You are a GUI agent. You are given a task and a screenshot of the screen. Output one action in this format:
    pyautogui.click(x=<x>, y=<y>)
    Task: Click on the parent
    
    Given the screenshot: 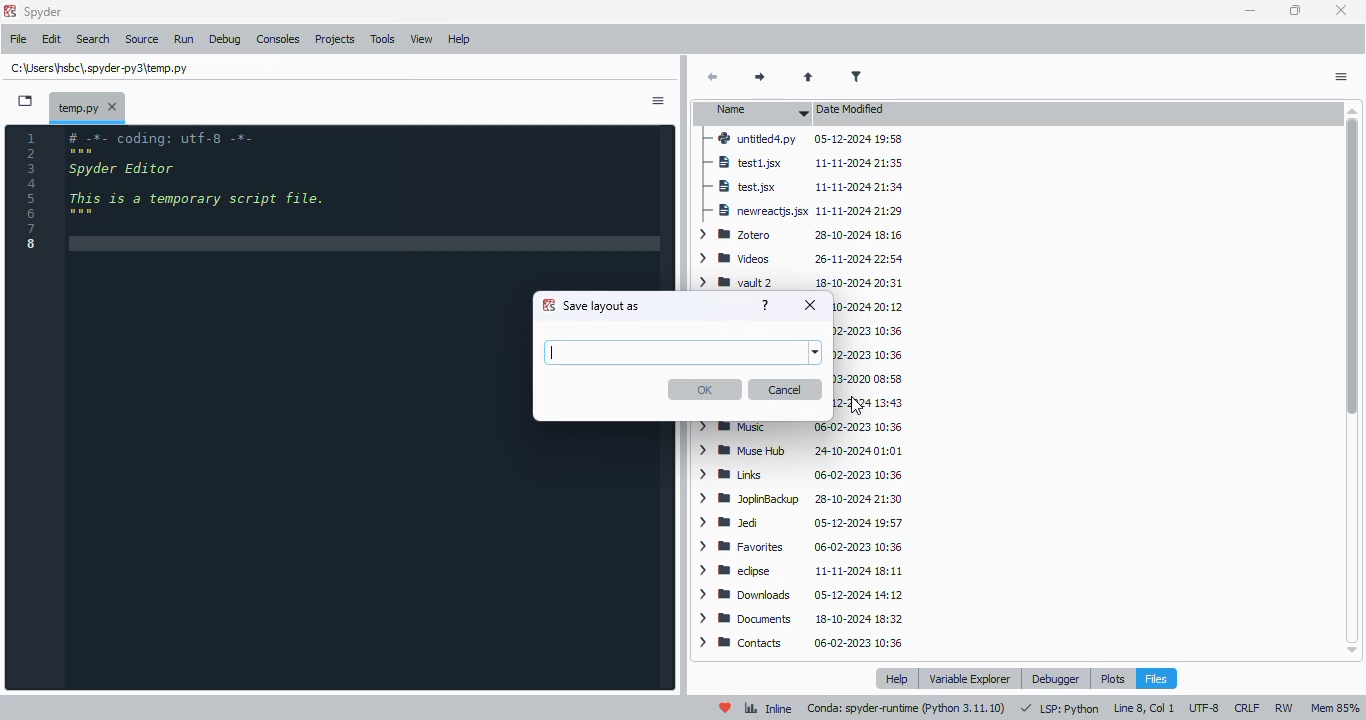 What is the action you would take?
    pyautogui.click(x=809, y=77)
    